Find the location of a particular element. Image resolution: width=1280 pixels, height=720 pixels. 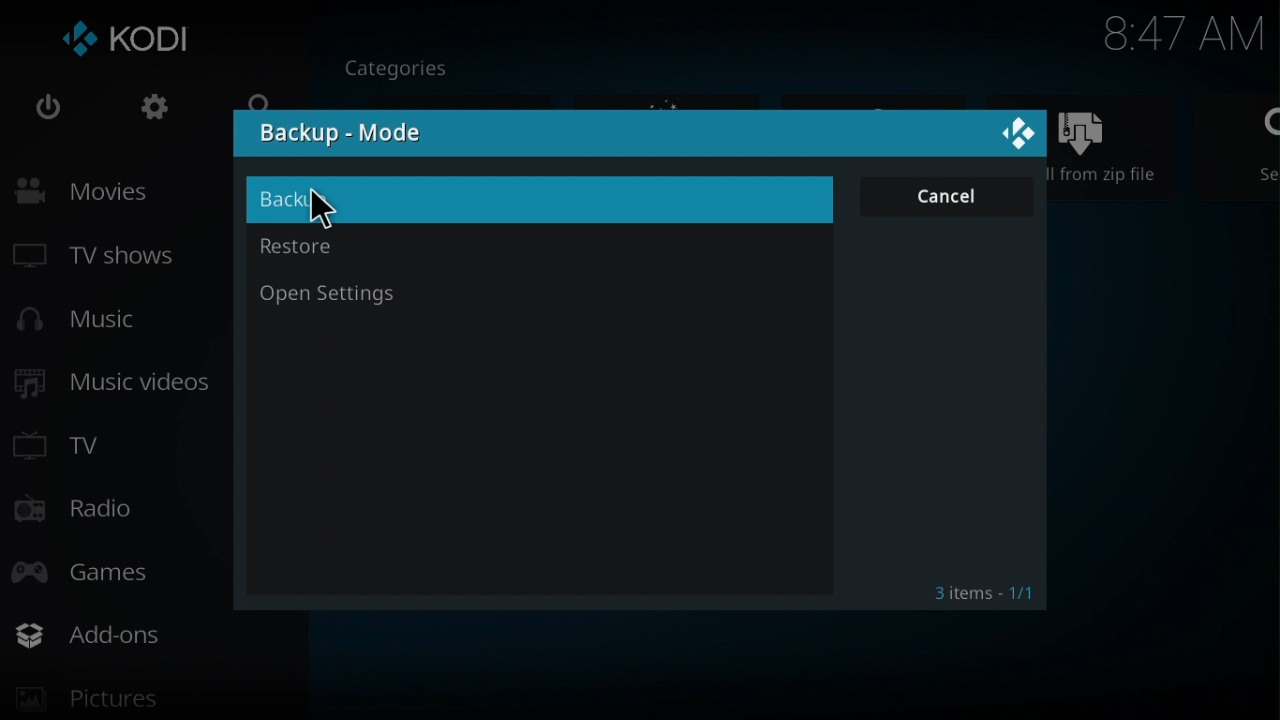

backup is located at coordinates (535, 199).